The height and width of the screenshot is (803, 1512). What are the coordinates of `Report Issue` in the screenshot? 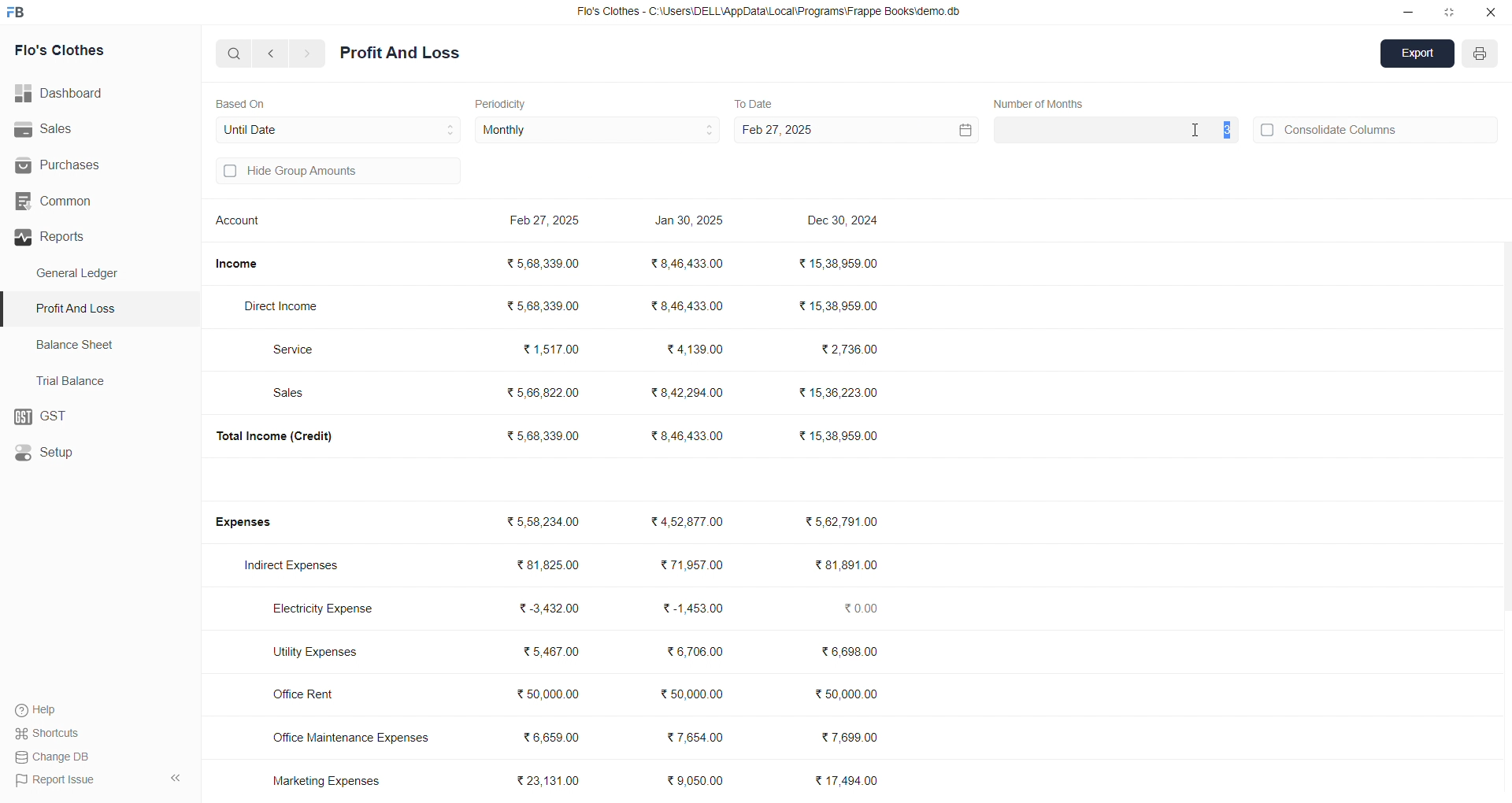 It's located at (56, 779).